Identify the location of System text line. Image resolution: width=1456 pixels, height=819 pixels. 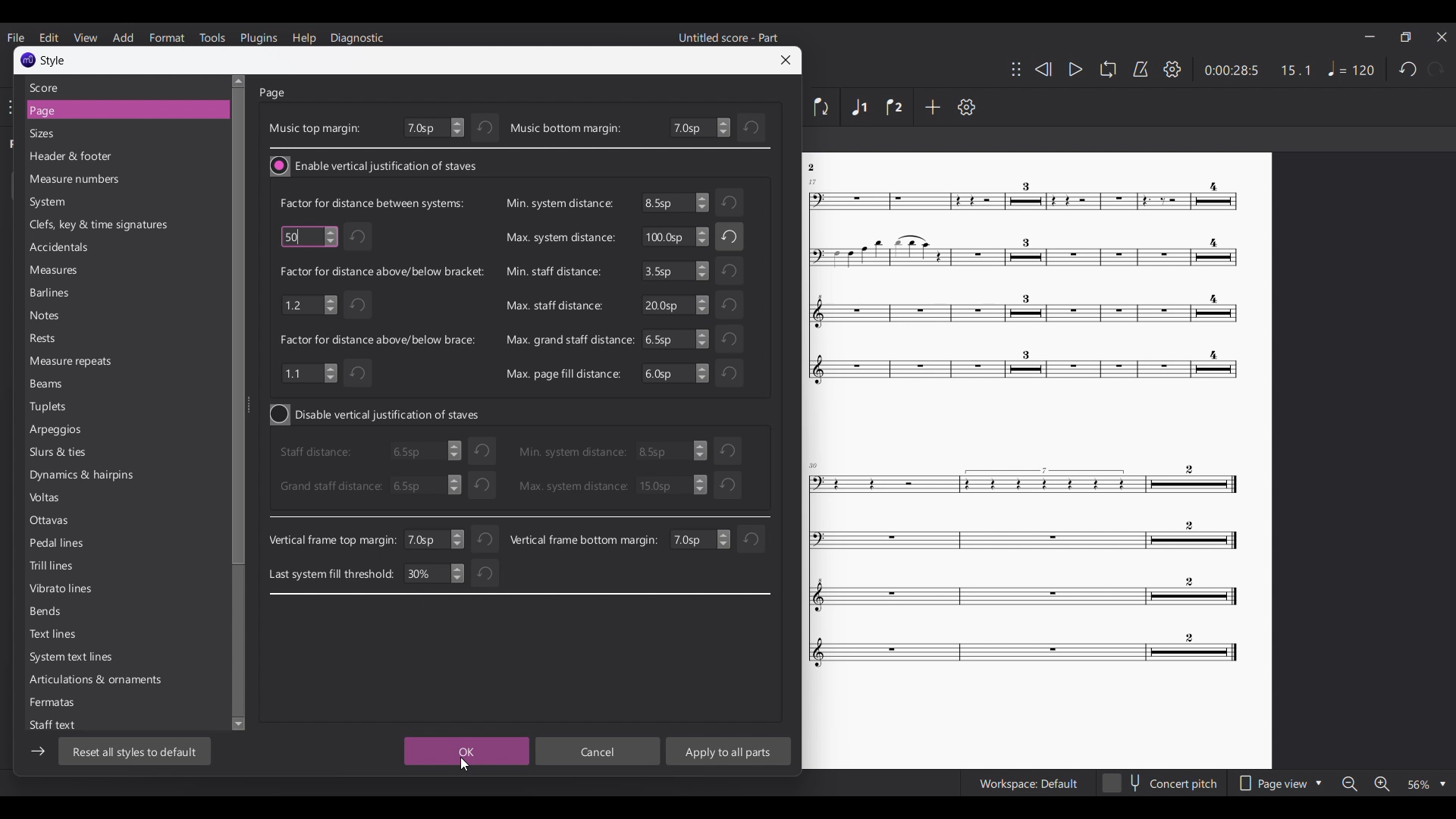
(76, 659).